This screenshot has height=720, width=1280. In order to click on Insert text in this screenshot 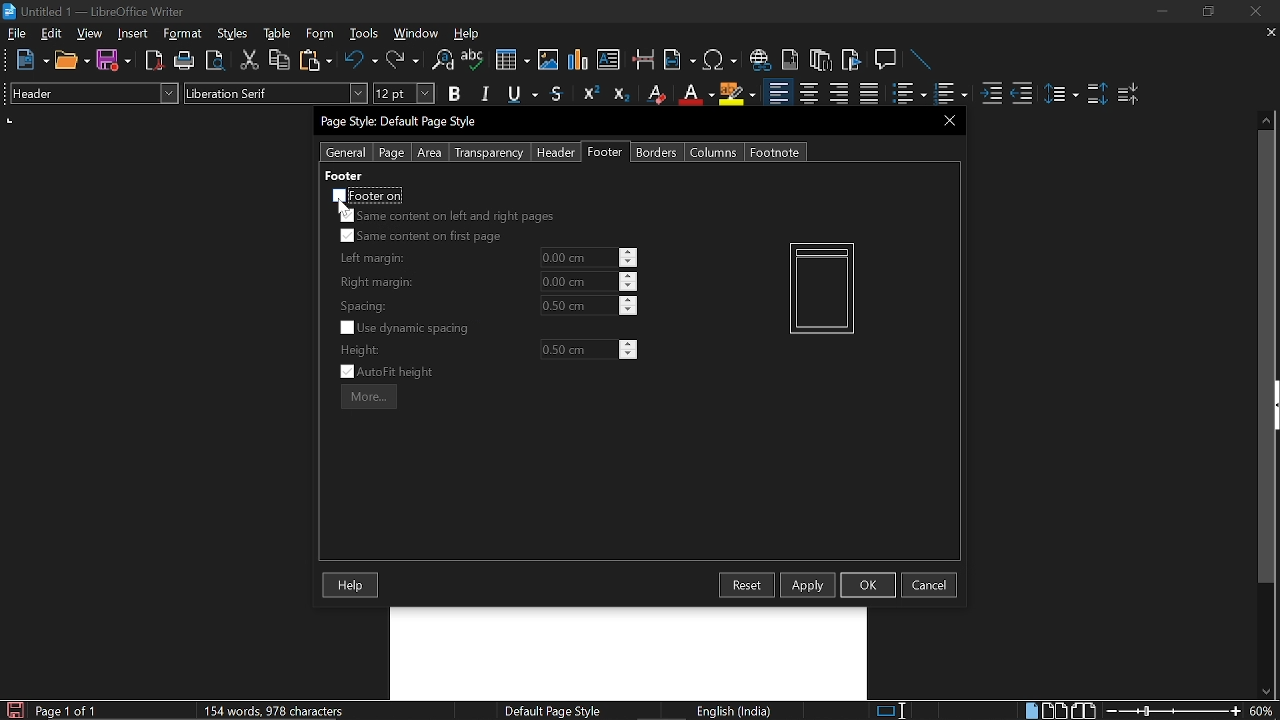, I will do `click(608, 59)`.